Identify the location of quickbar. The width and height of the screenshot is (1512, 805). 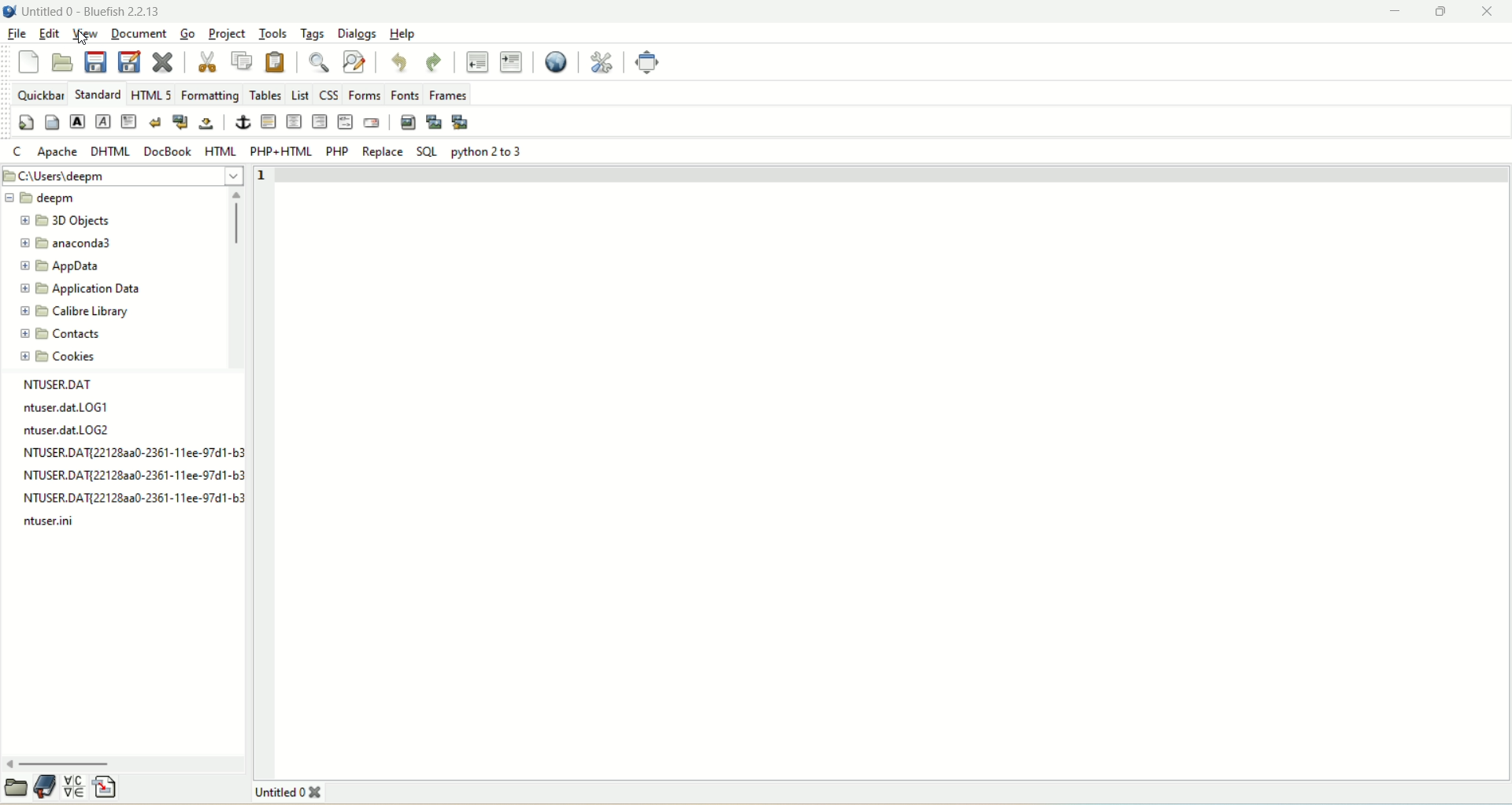
(41, 95).